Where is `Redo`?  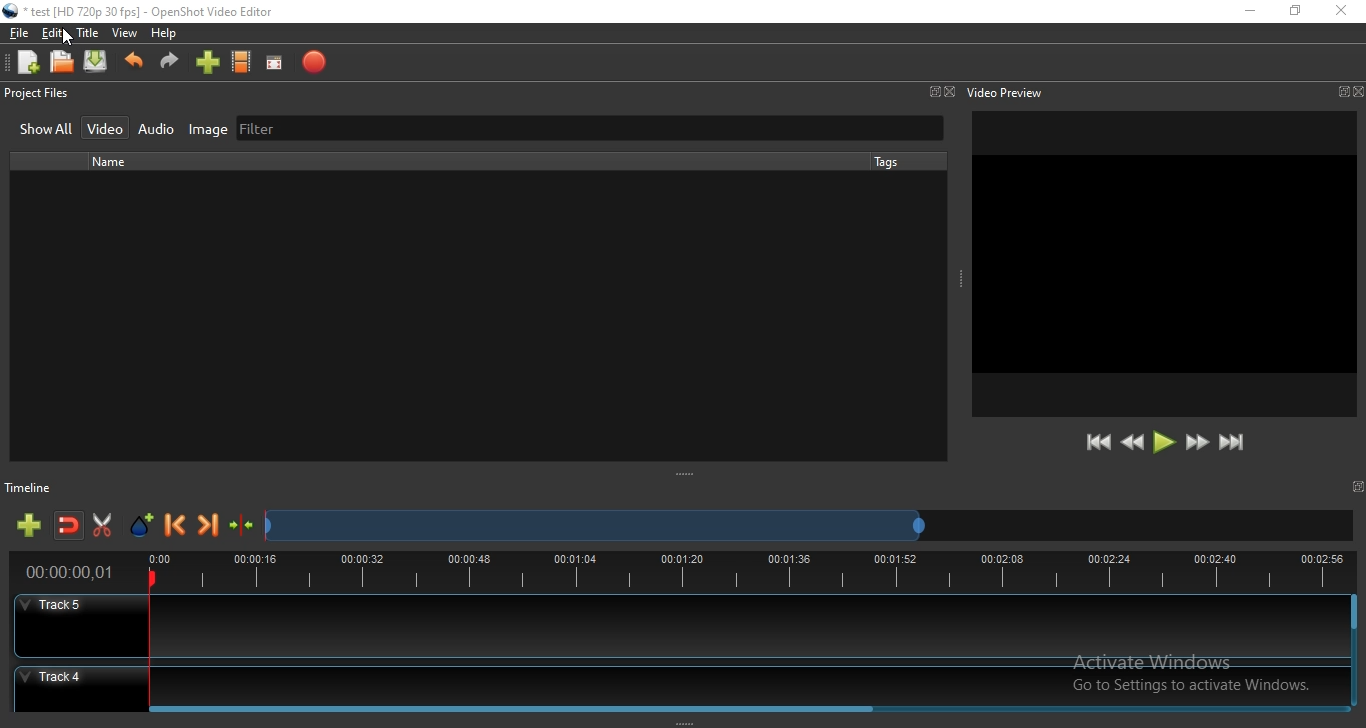
Redo is located at coordinates (170, 66).